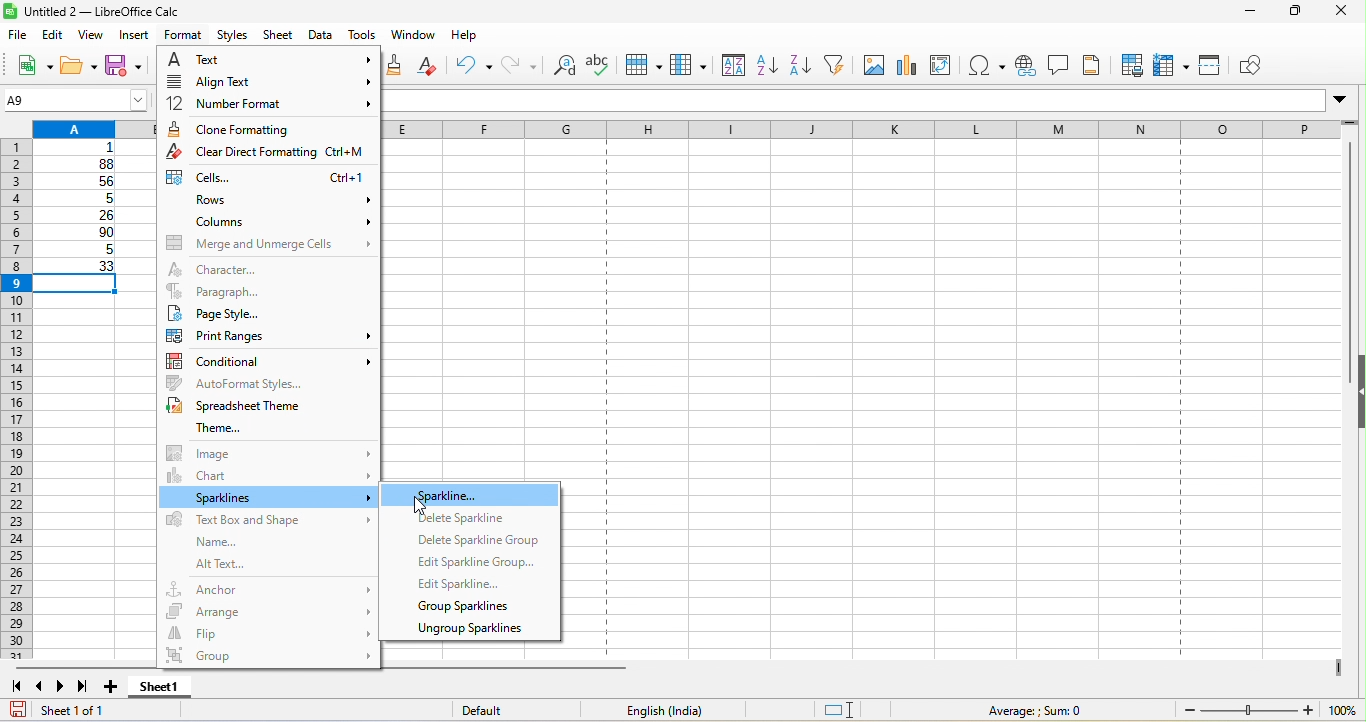  Describe the element at coordinates (80, 67) in the screenshot. I see `open` at that location.